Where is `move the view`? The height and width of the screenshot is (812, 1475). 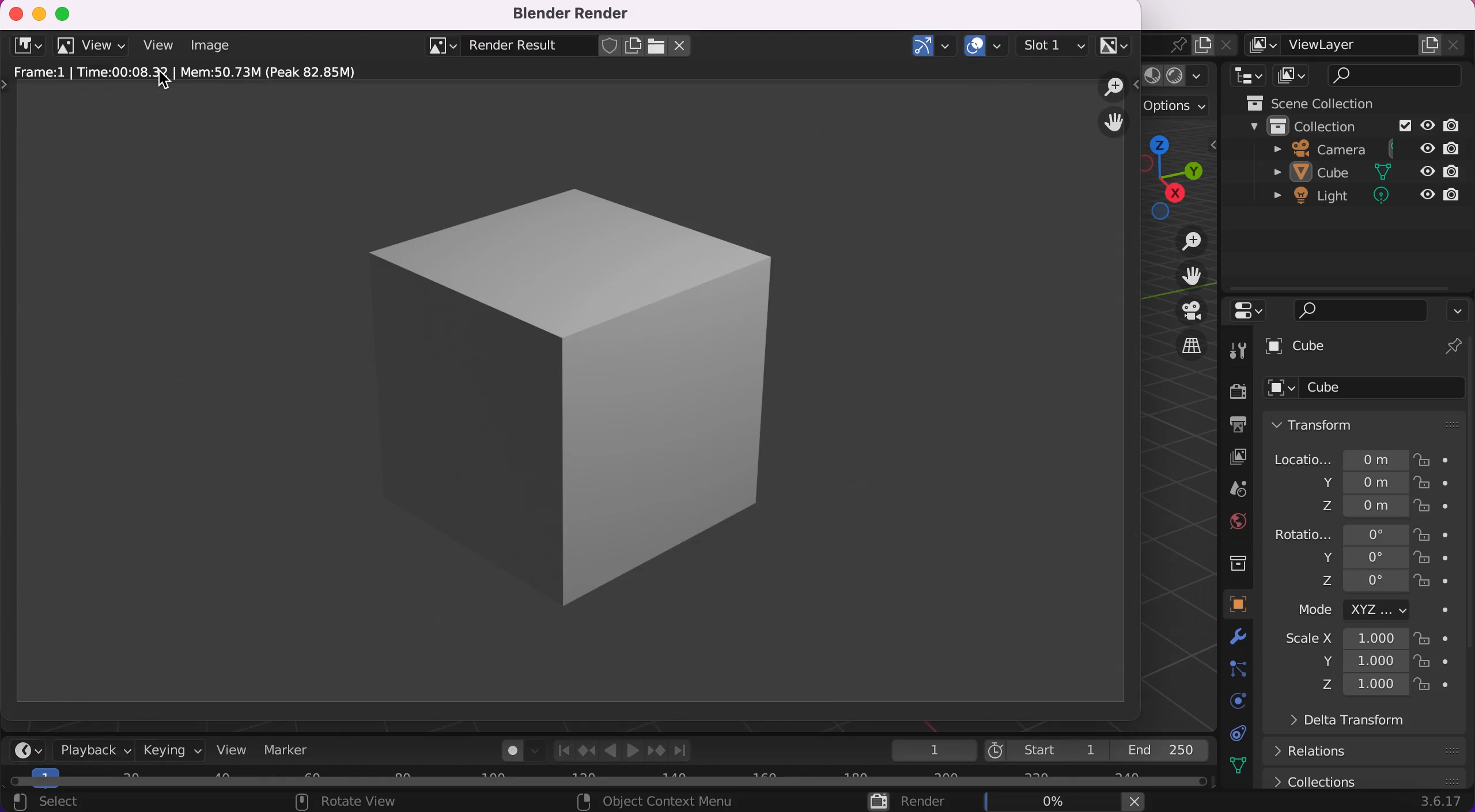
move the view is located at coordinates (1186, 279).